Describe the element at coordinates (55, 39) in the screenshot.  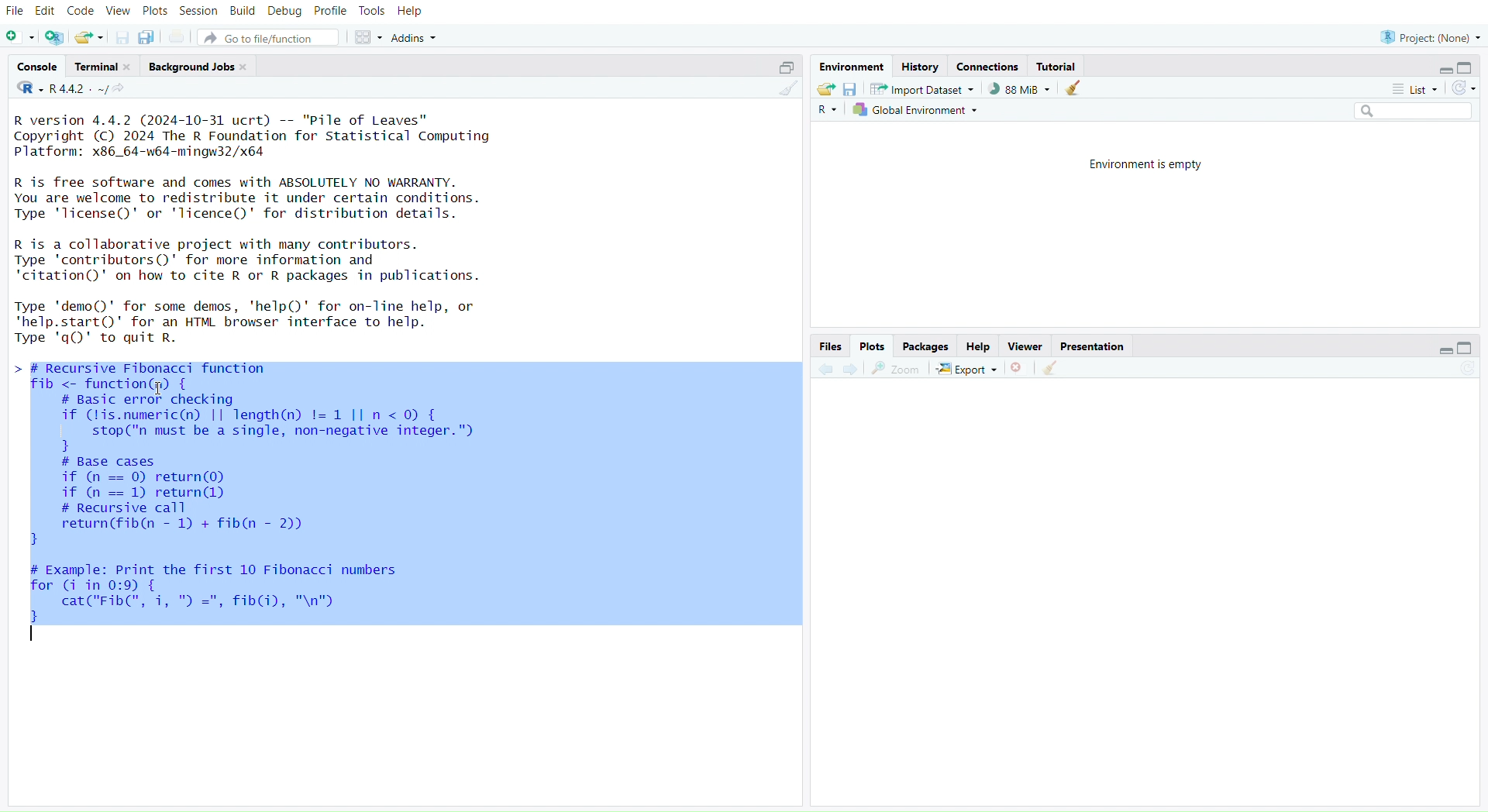
I see `create a project` at that location.